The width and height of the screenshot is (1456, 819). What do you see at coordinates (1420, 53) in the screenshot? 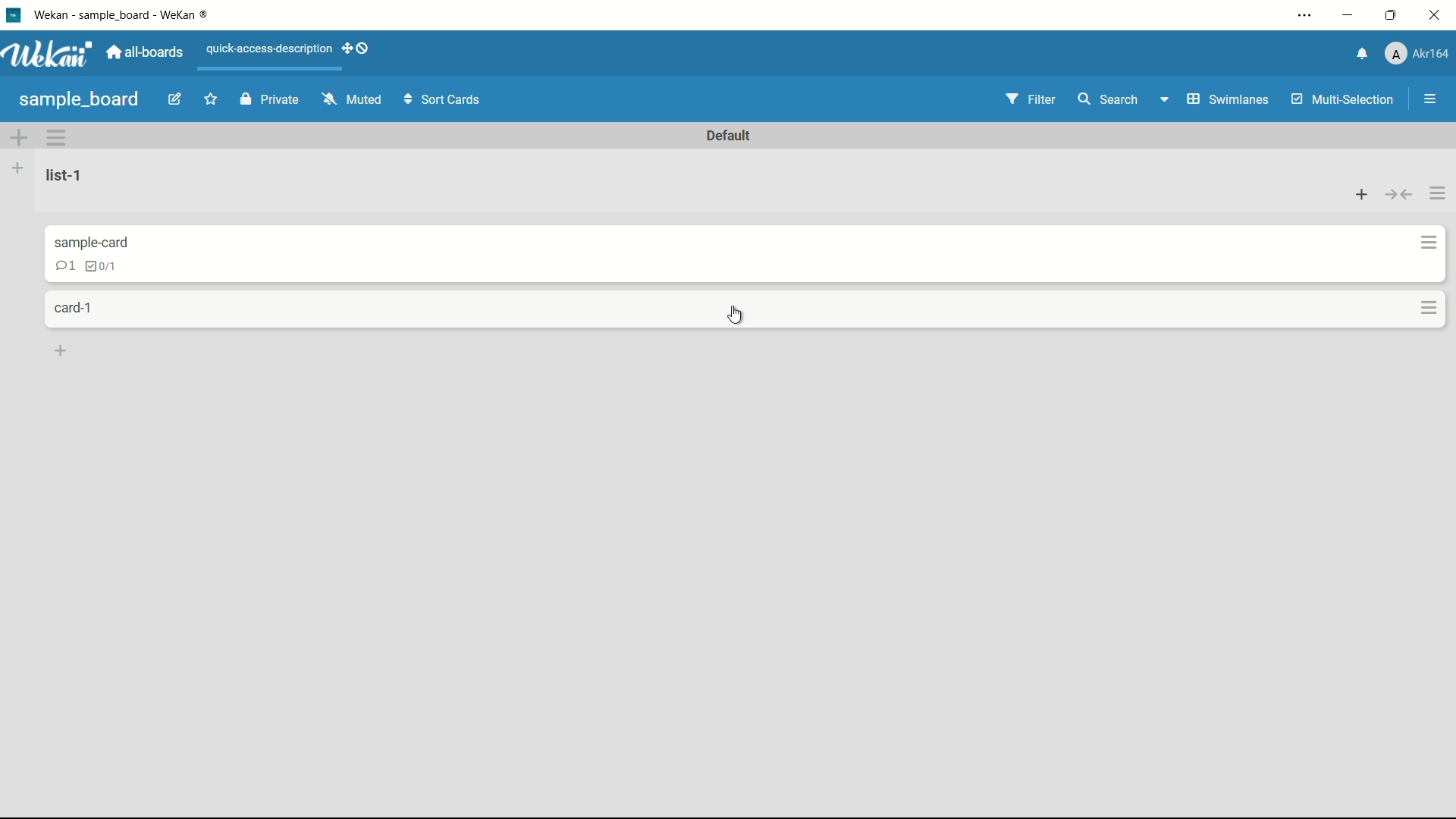
I see `Akr164` at bounding box center [1420, 53].